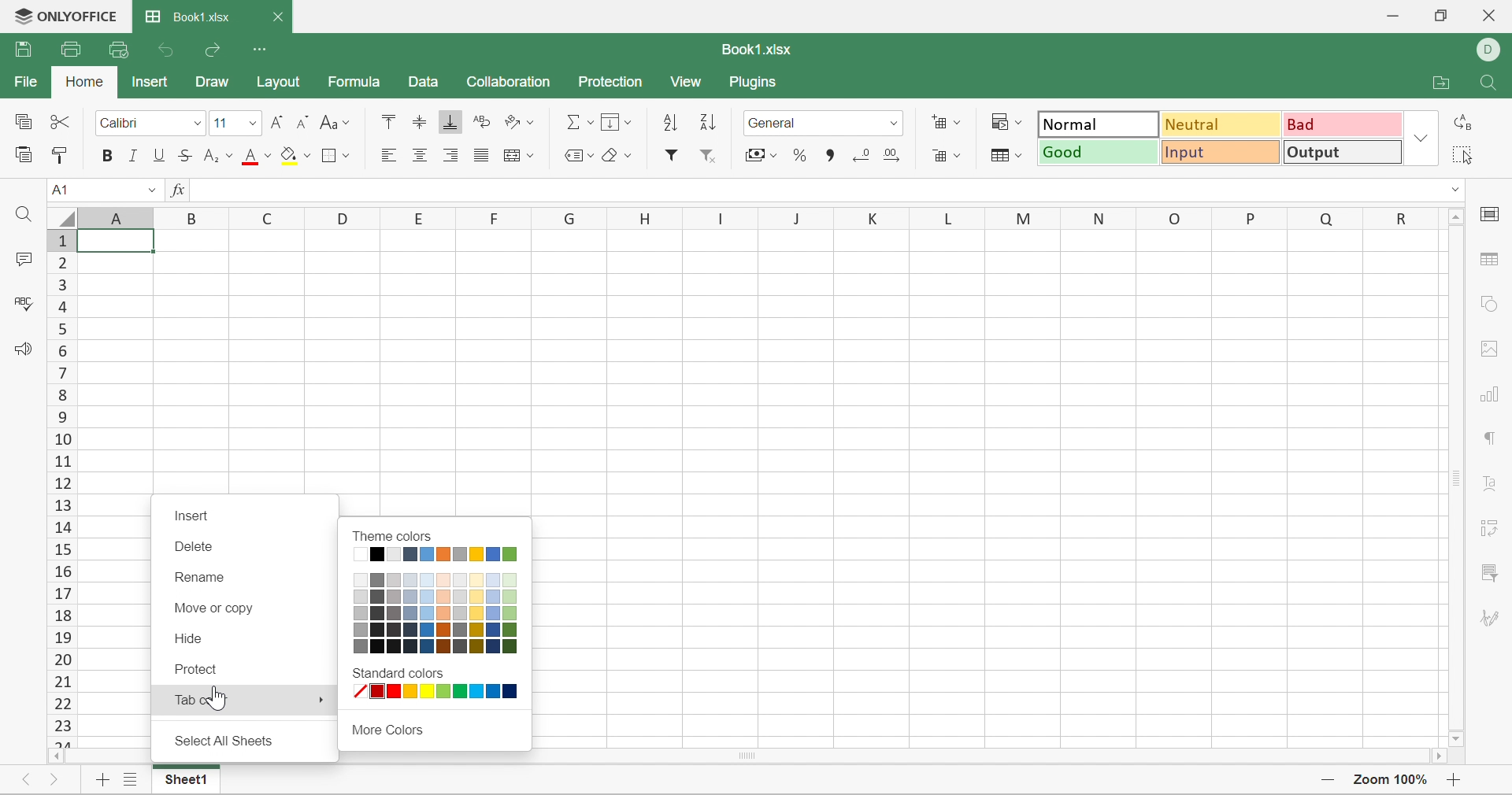 The width and height of the screenshot is (1512, 795). Describe the element at coordinates (195, 639) in the screenshot. I see `Hide` at that location.